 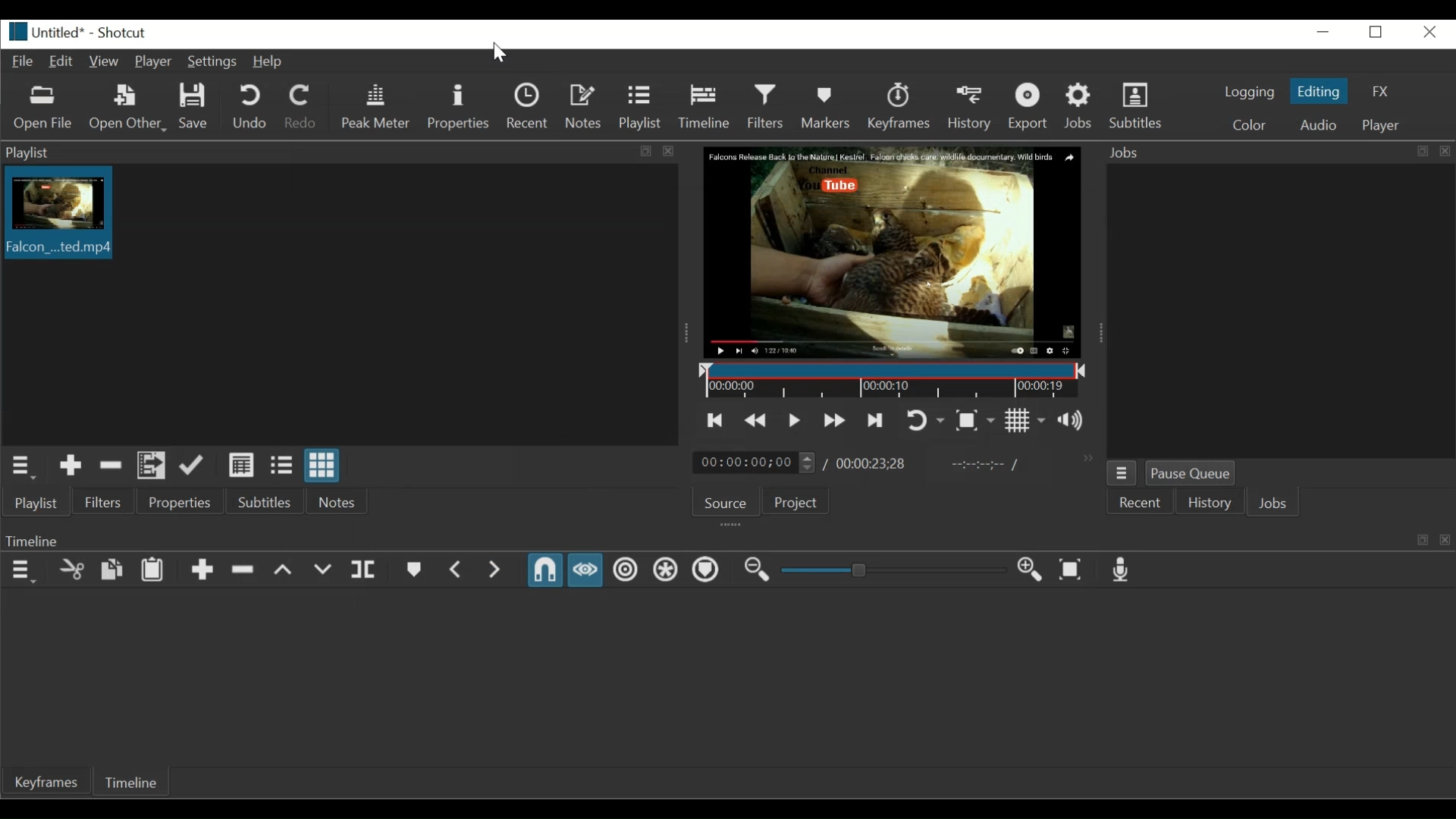 What do you see at coordinates (1426, 32) in the screenshot?
I see `Close` at bounding box center [1426, 32].